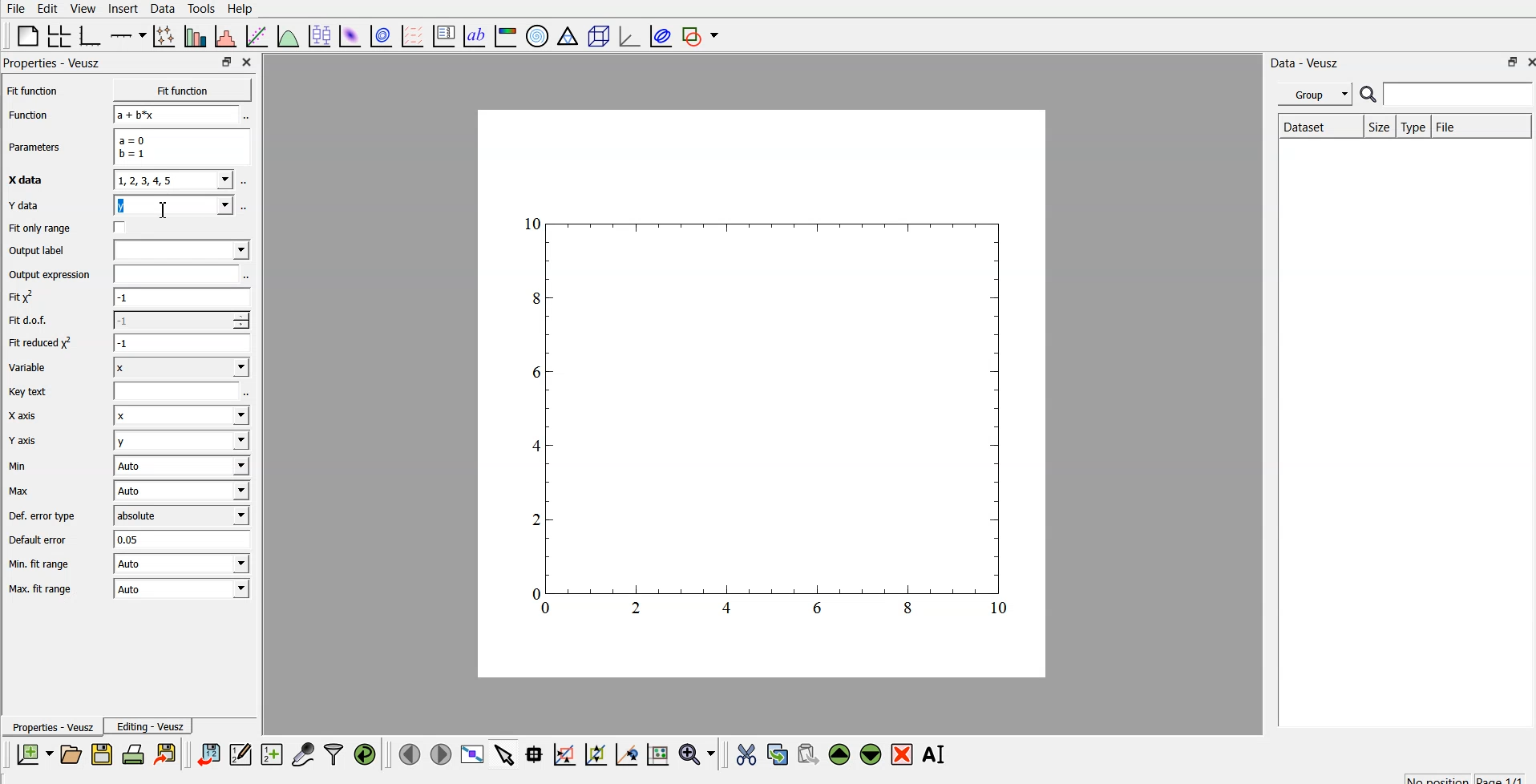 The height and width of the screenshot is (784, 1536). I want to click on -1, so click(180, 298).